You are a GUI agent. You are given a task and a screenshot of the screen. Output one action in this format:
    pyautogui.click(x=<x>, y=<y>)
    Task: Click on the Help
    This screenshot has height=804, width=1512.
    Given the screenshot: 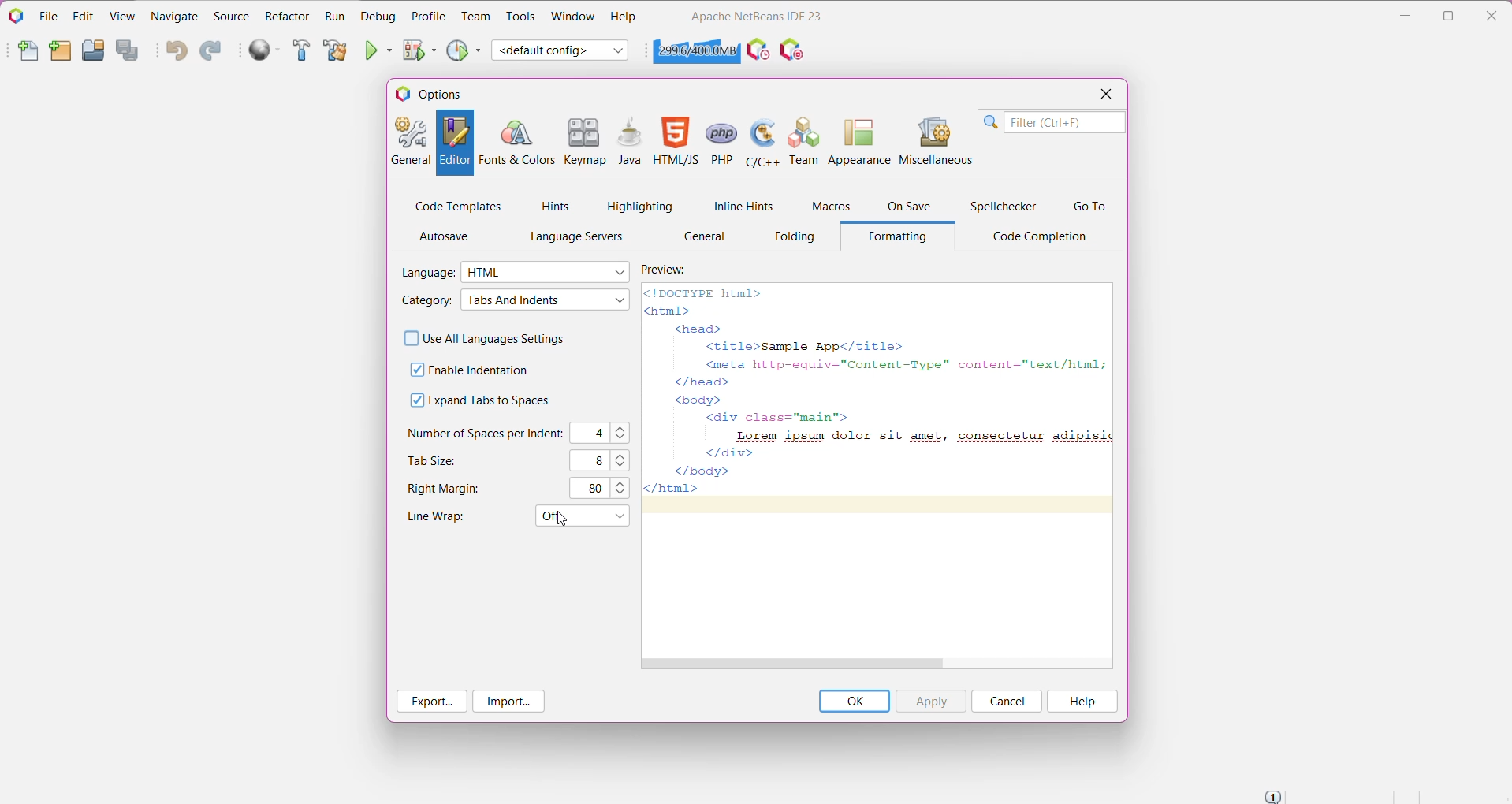 What is the action you would take?
    pyautogui.click(x=1082, y=702)
    